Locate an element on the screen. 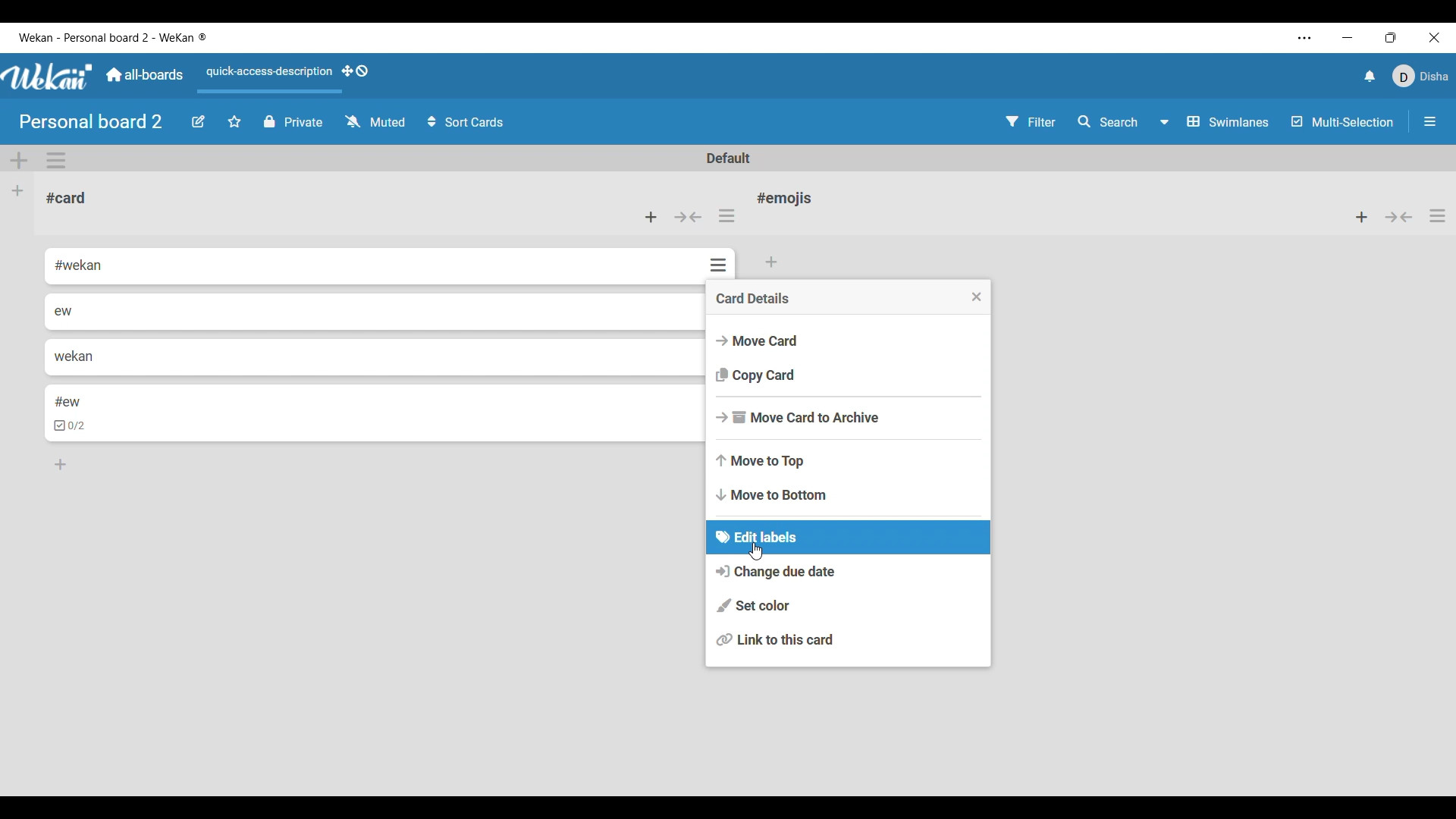 The width and height of the screenshot is (1456, 819). Add card to top of list is located at coordinates (651, 217).